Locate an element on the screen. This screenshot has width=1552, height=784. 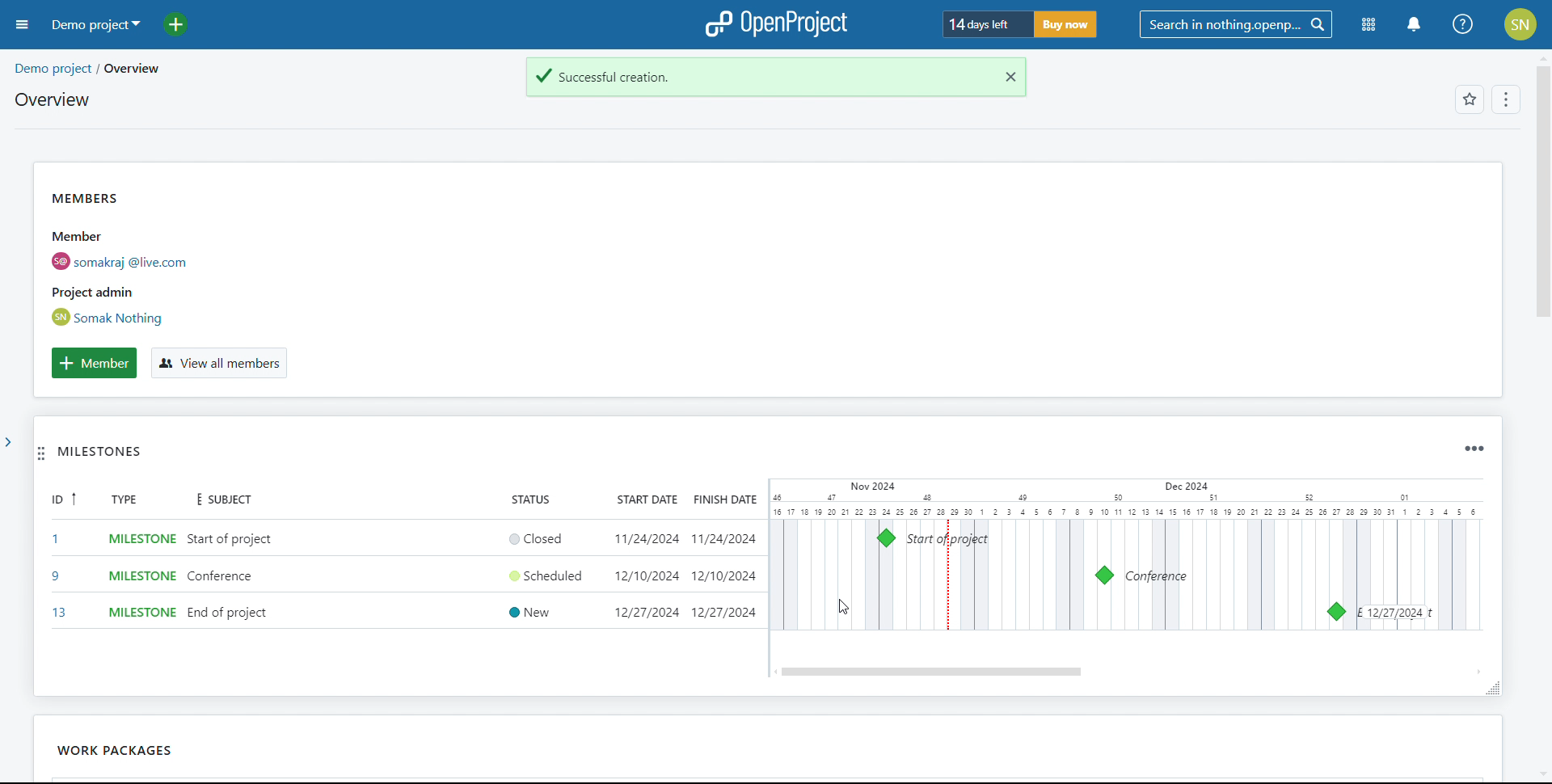
set status is located at coordinates (545, 574).